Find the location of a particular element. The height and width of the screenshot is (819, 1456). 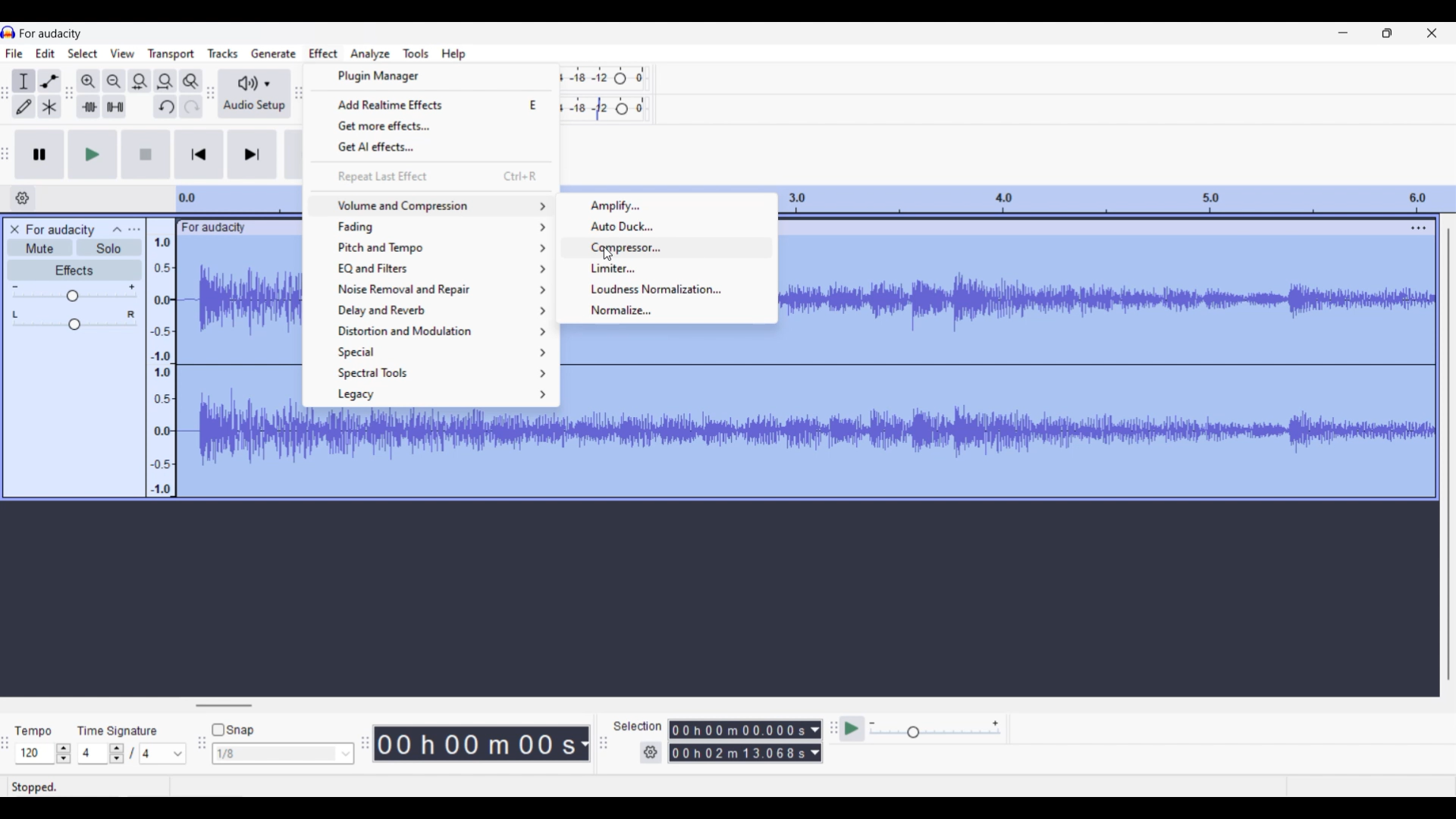

Spectral tool is located at coordinates (432, 373).